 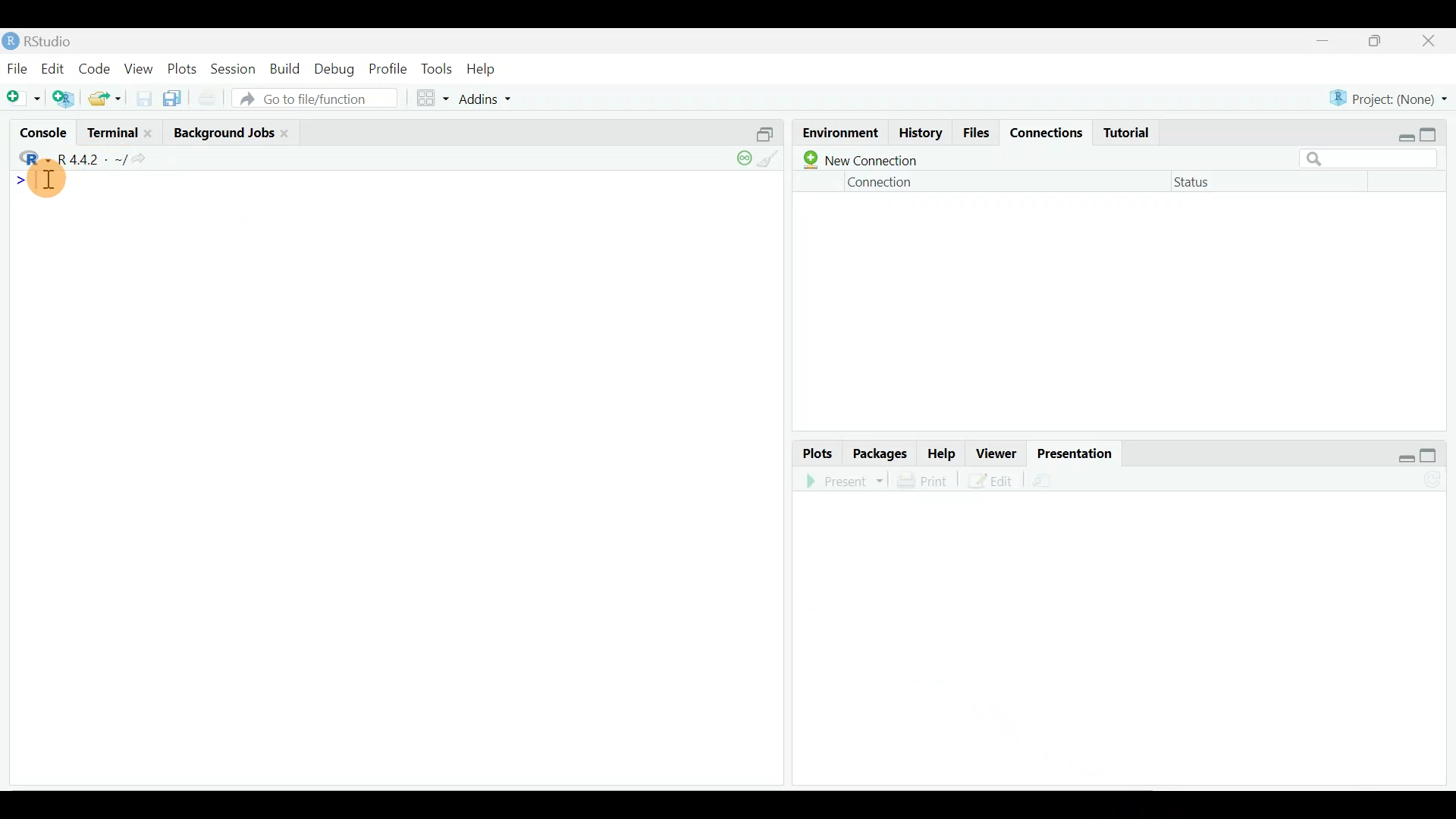 What do you see at coordinates (815, 452) in the screenshot?
I see `Plots` at bounding box center [815, 452].